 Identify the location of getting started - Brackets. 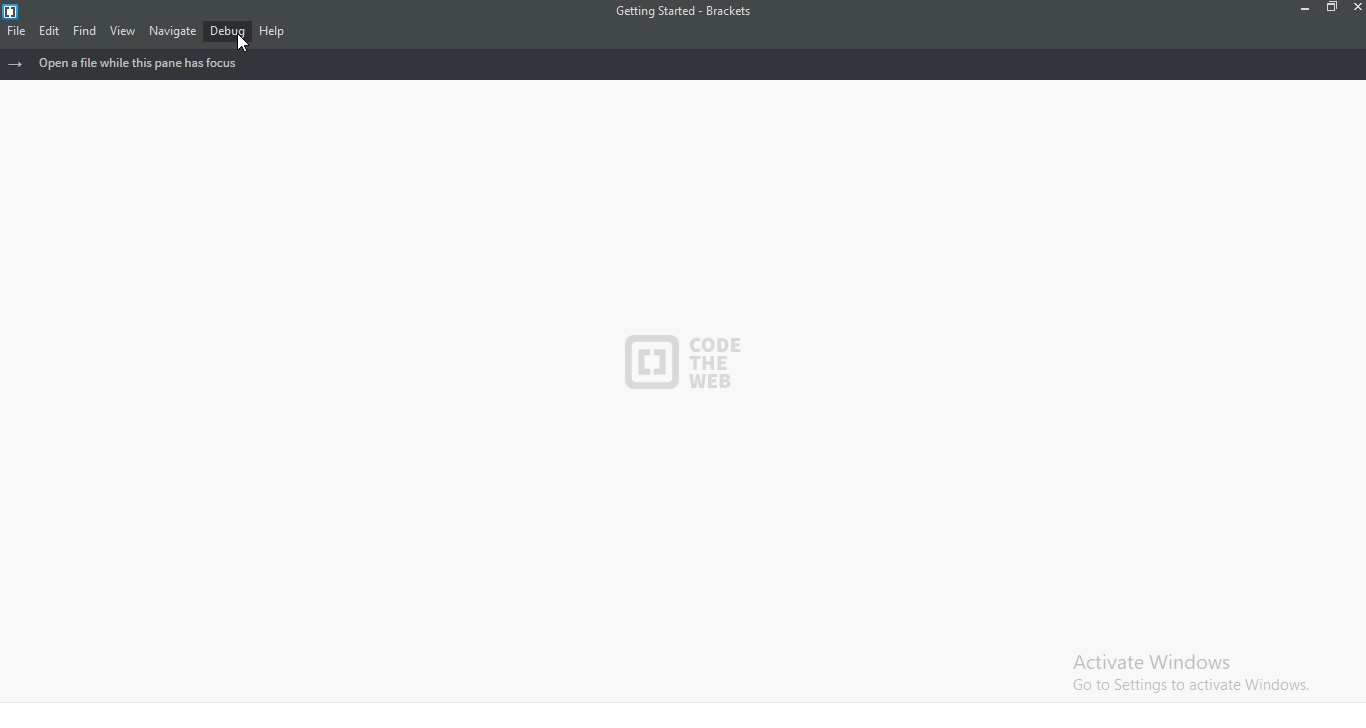
(693, 13).